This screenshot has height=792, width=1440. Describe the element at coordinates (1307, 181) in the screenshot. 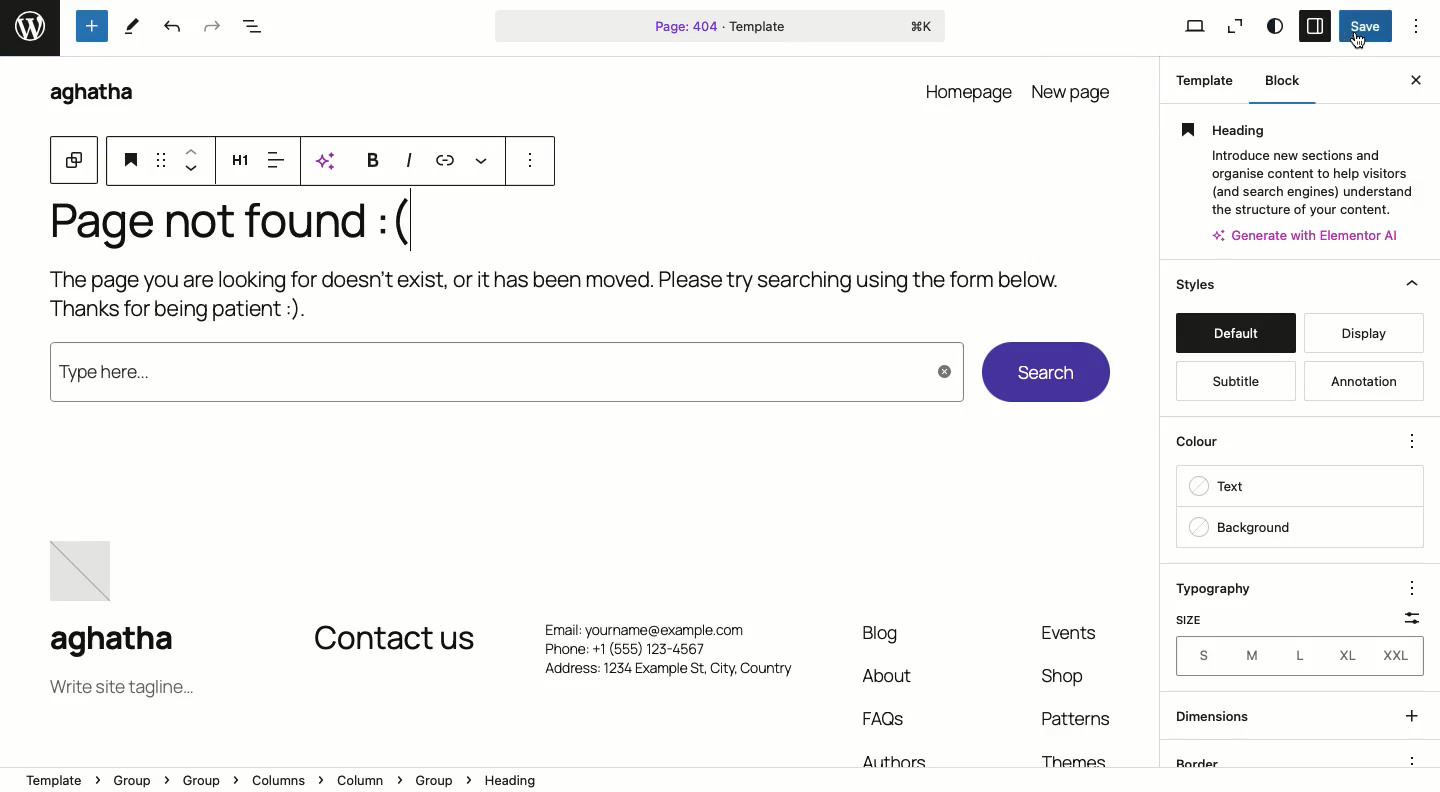

I see `Introduce new sections and
organise content to help visitors.
(and search engines) understand
the structure of your content.` at that location.